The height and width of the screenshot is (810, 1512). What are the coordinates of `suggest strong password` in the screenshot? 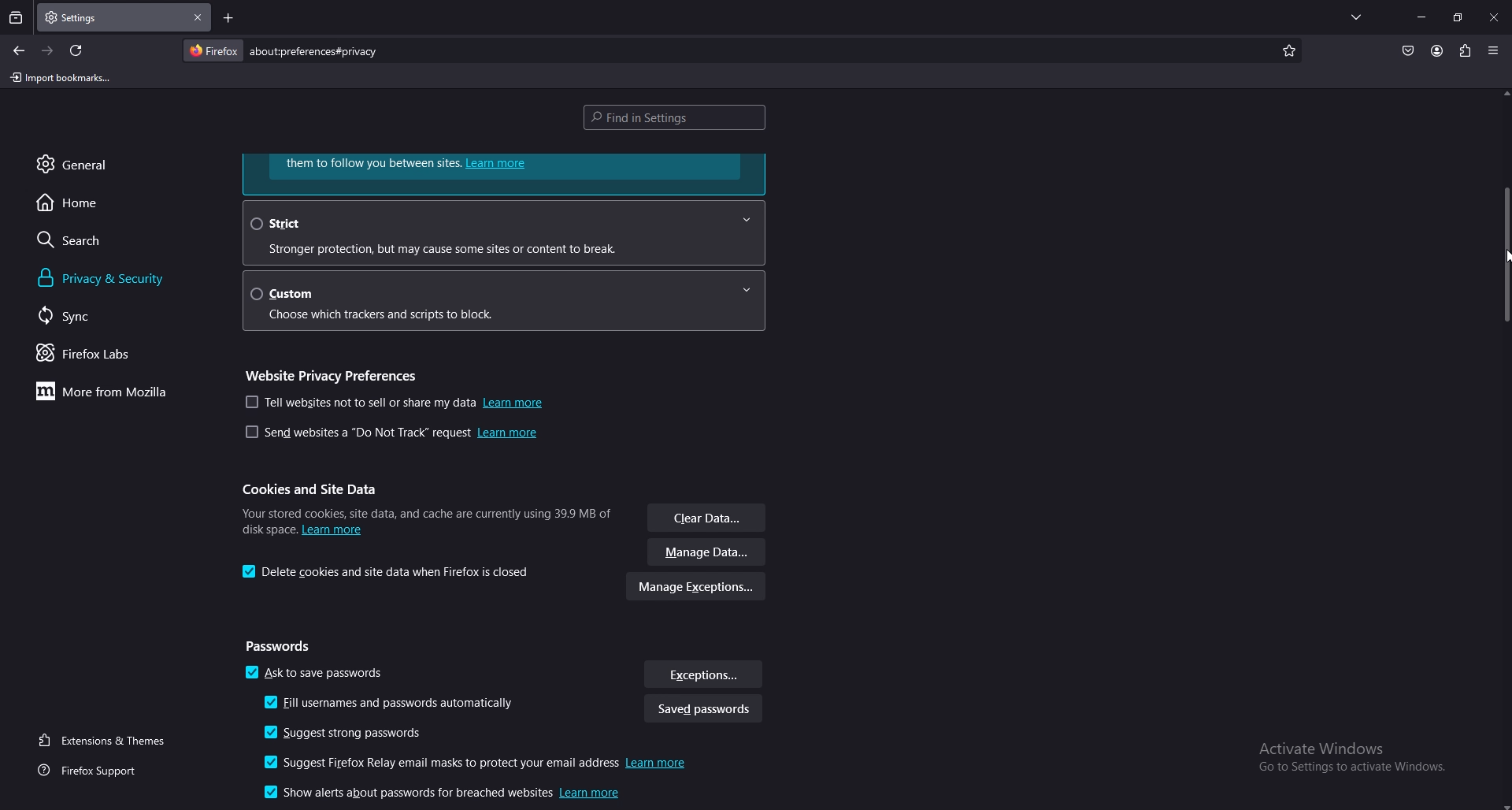 It's located at (353, 734).